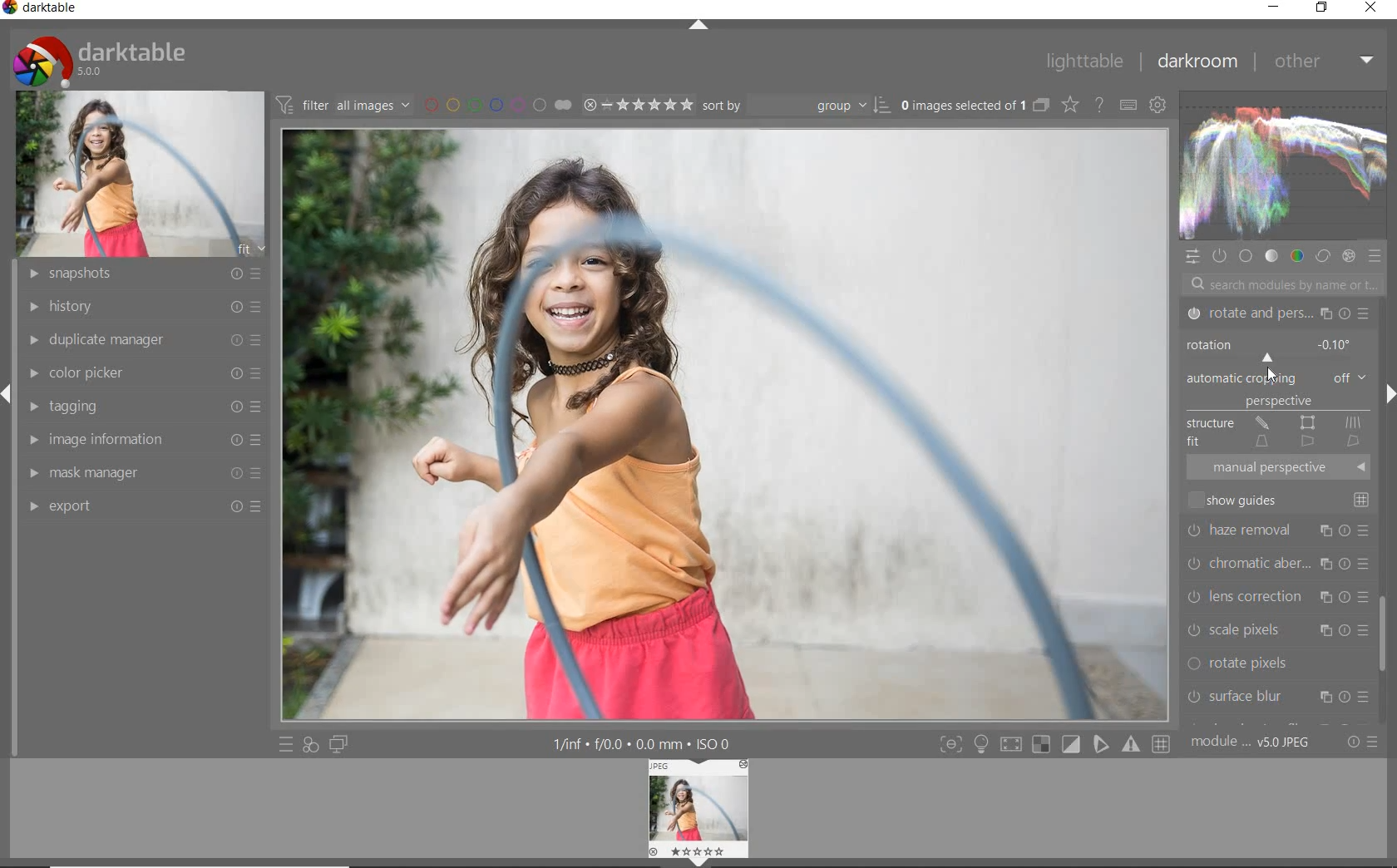 This screenshot has height=868, width=1397. I want to click on darkroom, so click(1198, 60).